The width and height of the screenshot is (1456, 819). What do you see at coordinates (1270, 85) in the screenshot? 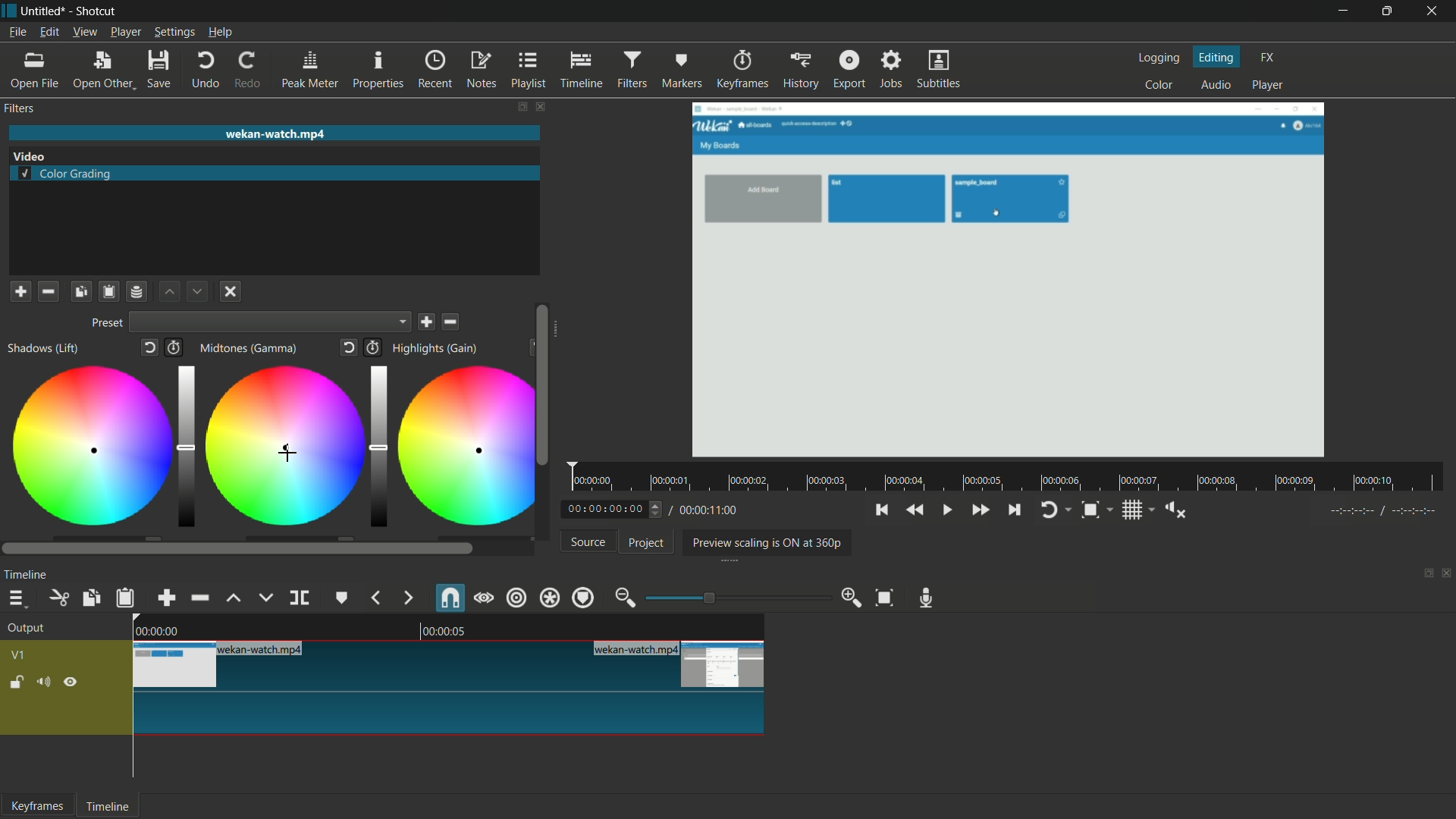
I see `player` at bounding box center [1270, 85].